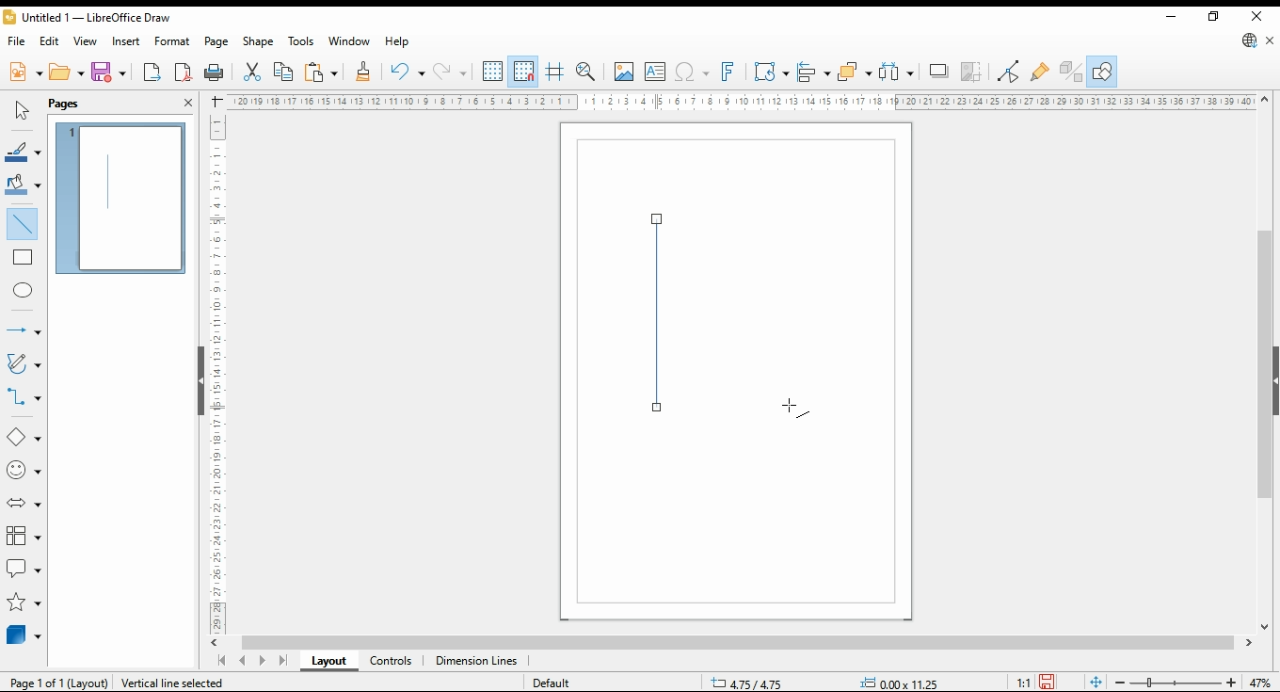  What do you see at coordinates (284, 662) in the screenshot?
I see `last page` at bounding box center [284, 662].